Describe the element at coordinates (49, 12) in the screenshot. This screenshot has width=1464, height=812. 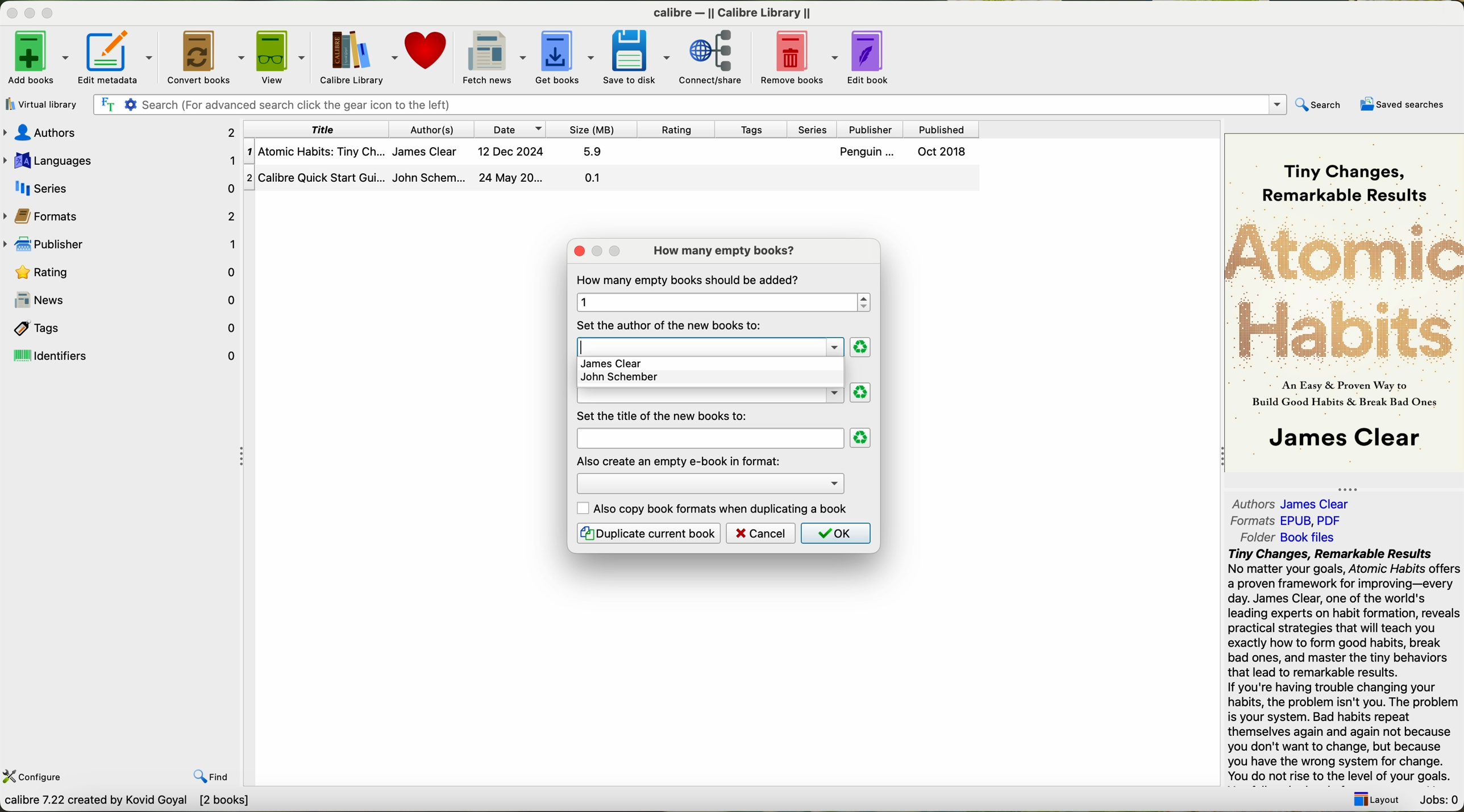
I see `maximize` at that location.